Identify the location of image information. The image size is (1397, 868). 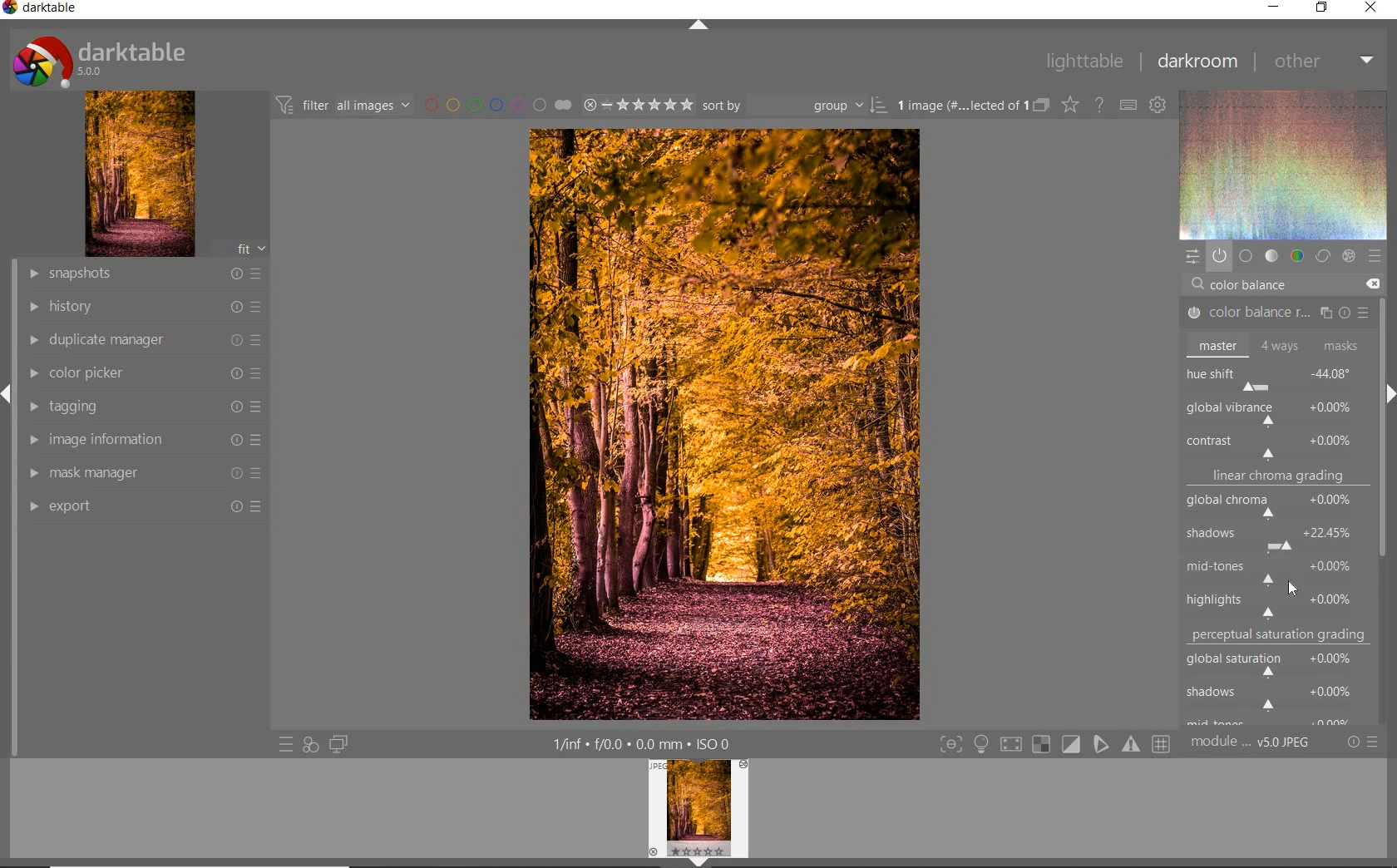
(141, 439).